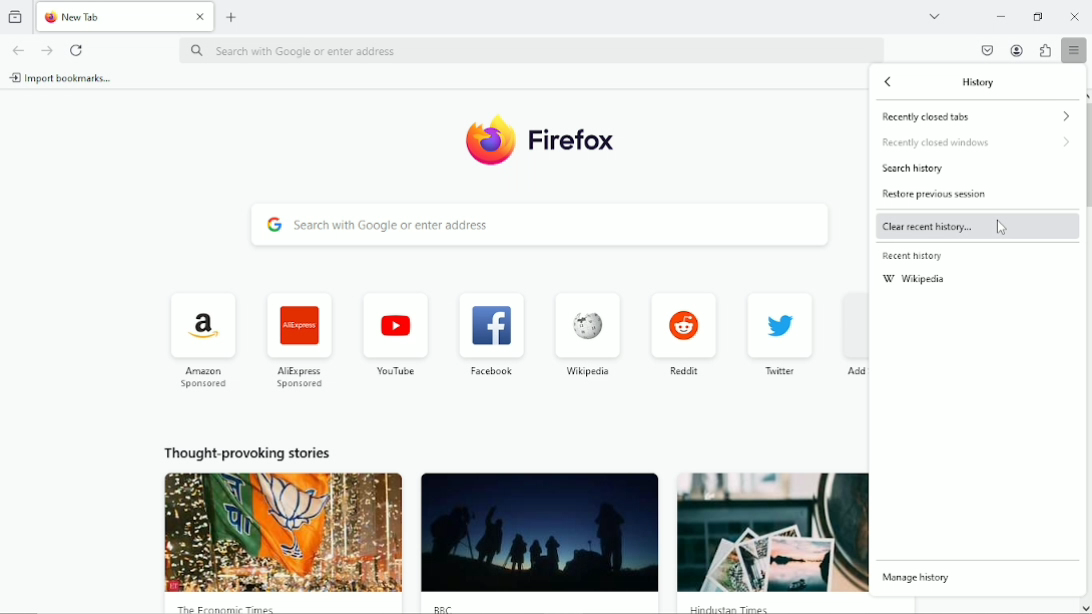 Image resolution: width=1092 pixels, height=614 pixels. I want to click on Wikipedia, so click(586, 331).